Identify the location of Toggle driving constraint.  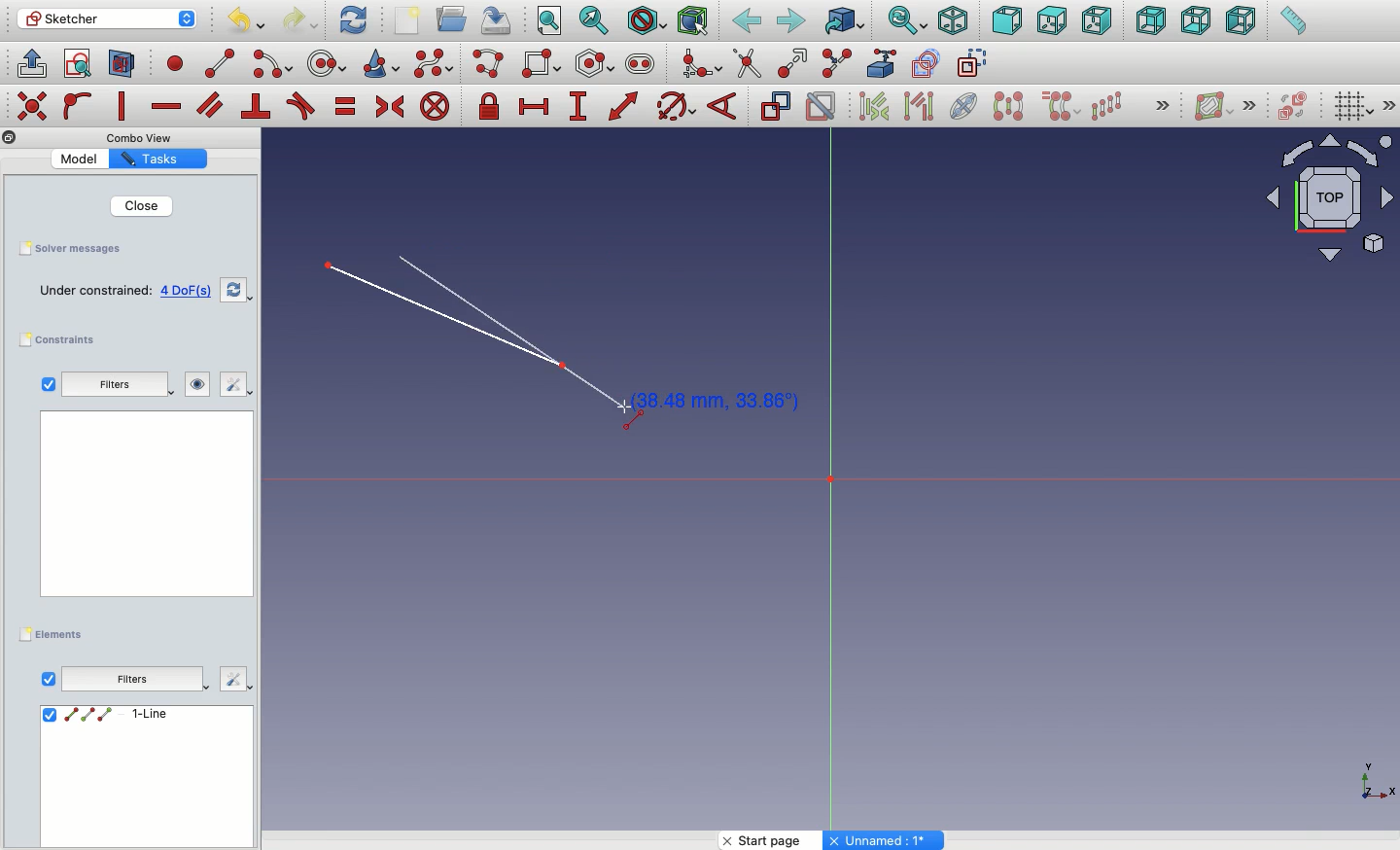
(775, 106).